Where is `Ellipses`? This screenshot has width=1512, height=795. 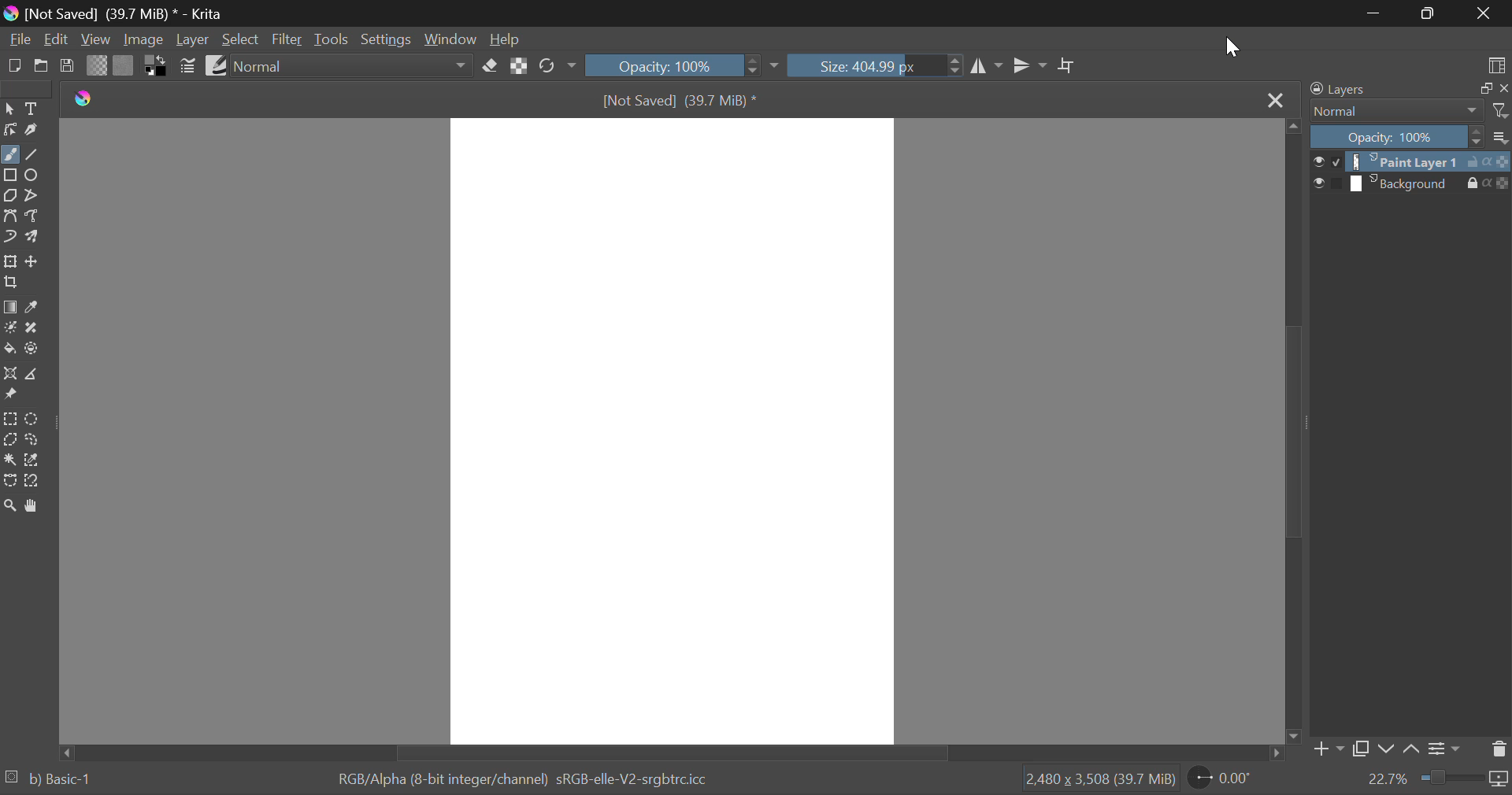
Ellipses is located at coordinates (35, 176).